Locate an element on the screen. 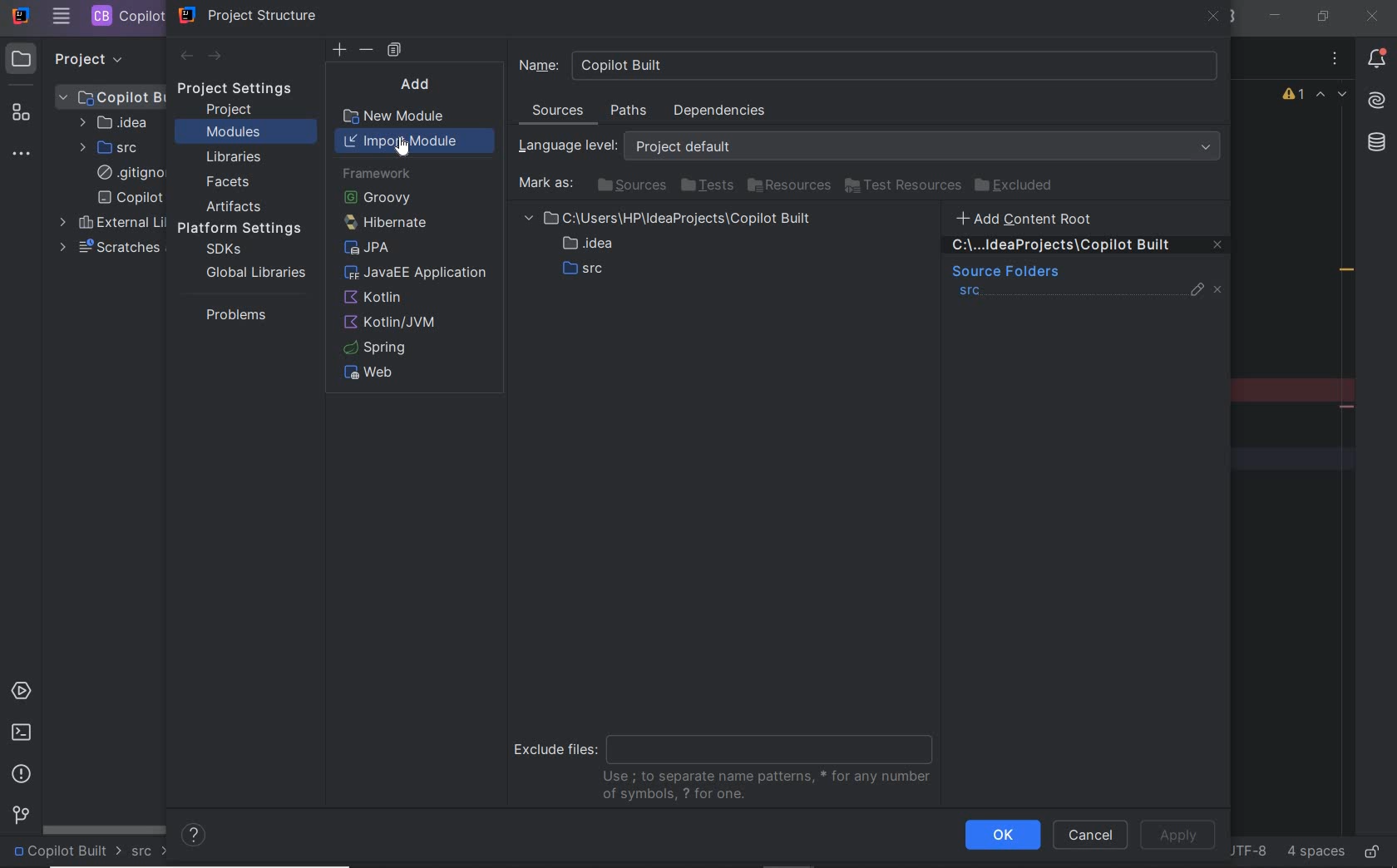 The height and width of the screenshot is (868, 1397). .gitignore is located at coordinates (127, 174).